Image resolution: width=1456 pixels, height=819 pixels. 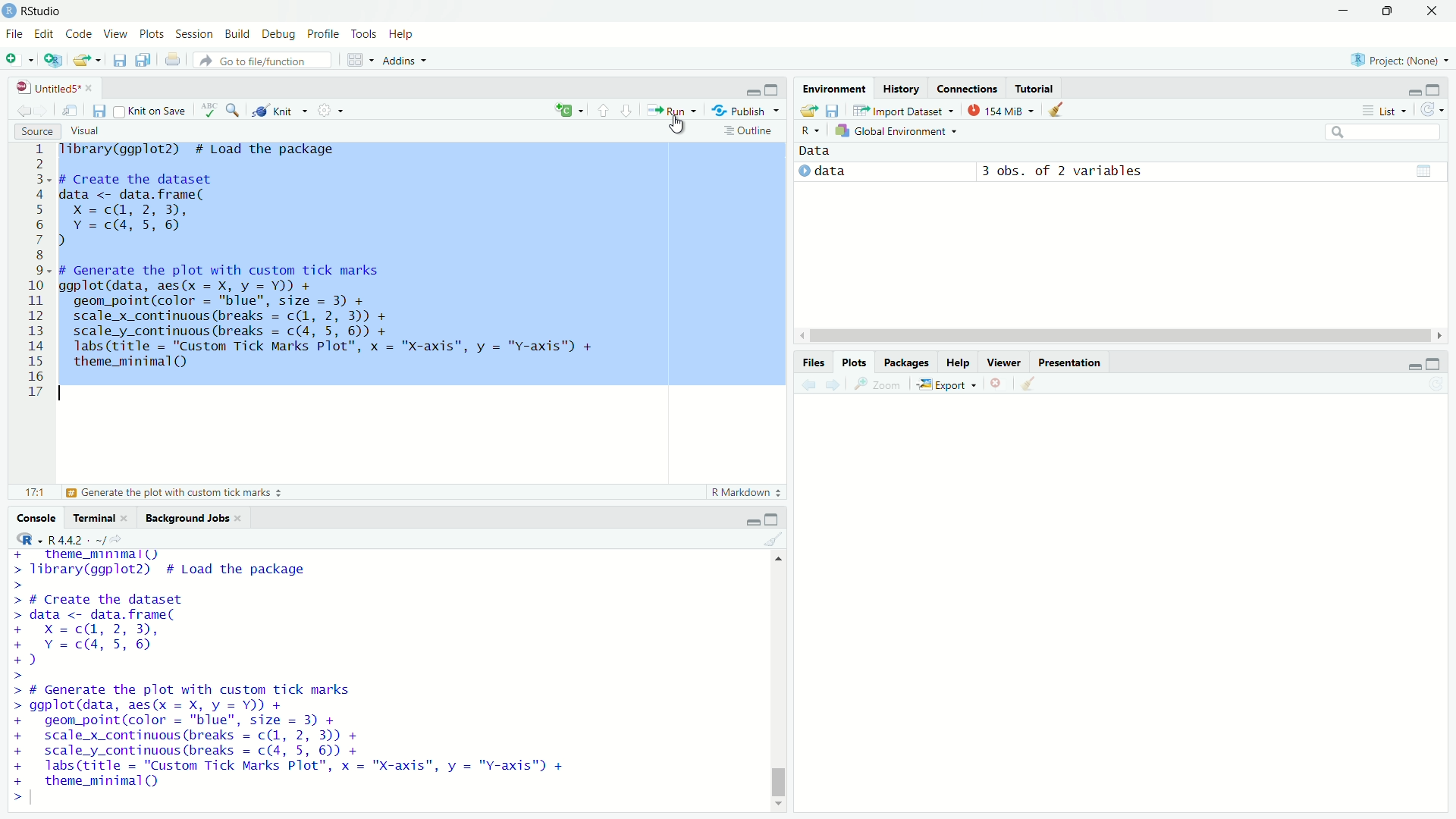 What do you see at coordinates (1437, 111) in the screenshot?
I see `refresh` at bounding box center [1437, 111].